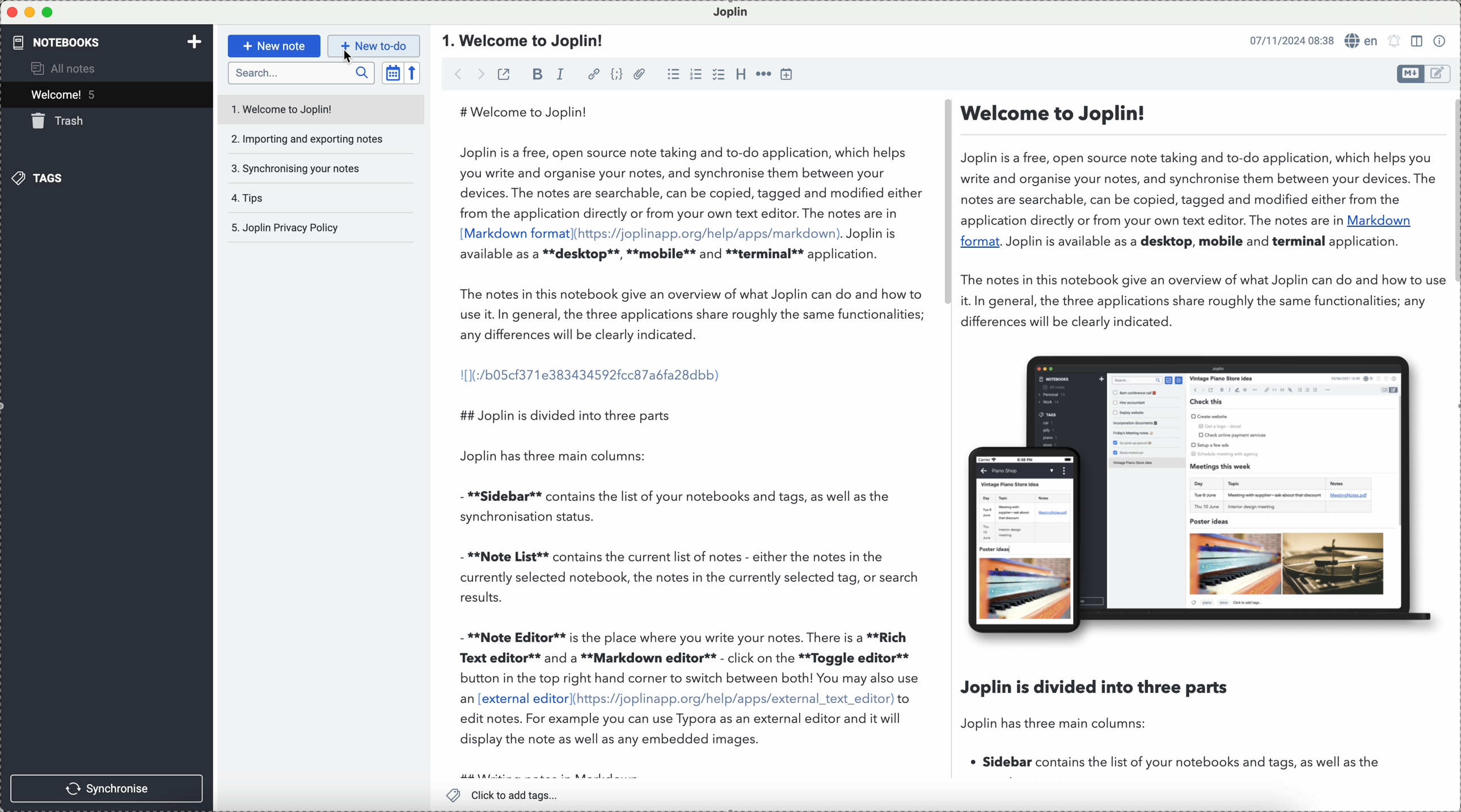  What do you see at coordinates (561, 74) in the screenshot?
I see `italic` at bounding box center [561, 74].